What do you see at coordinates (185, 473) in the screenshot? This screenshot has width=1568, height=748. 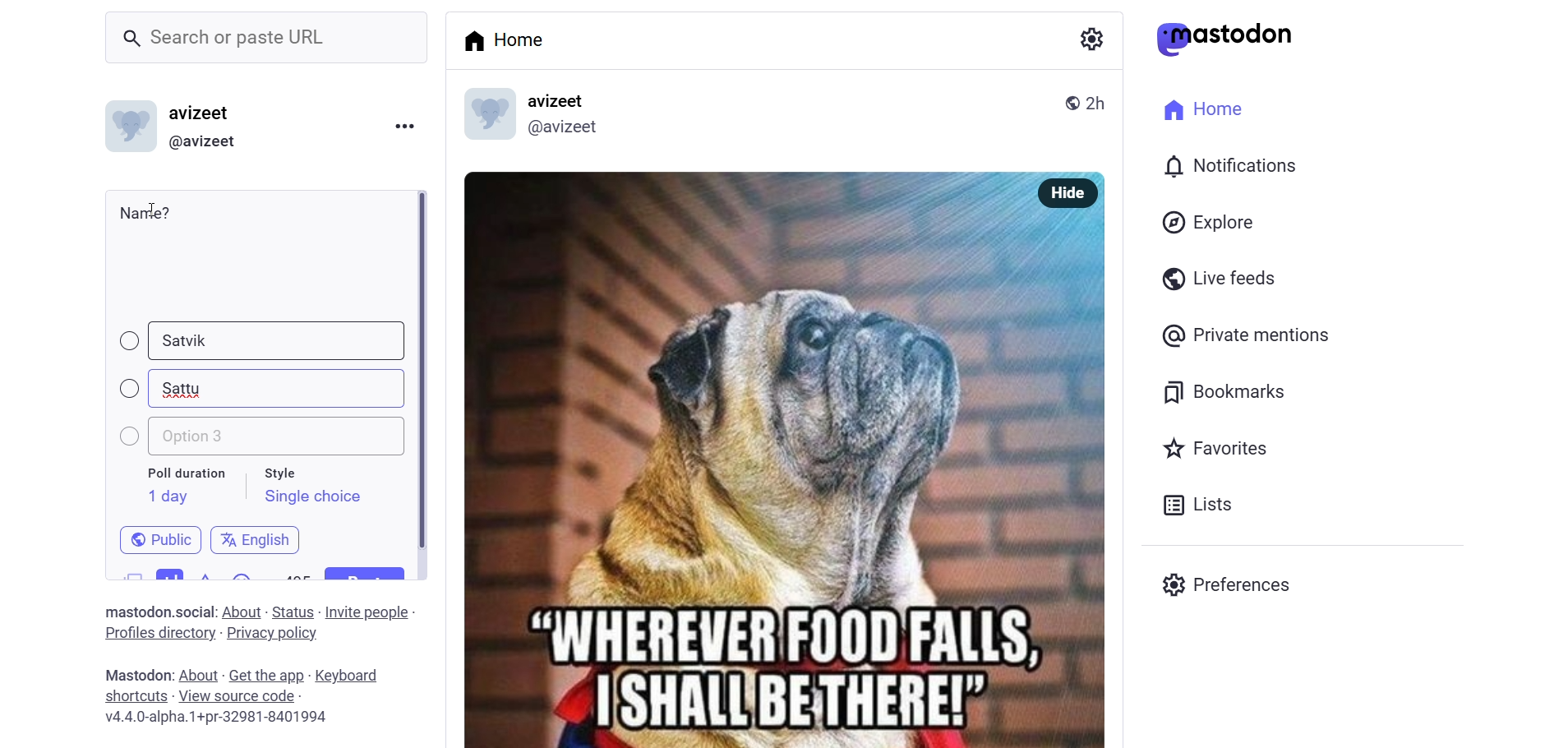 I see `duration` at bounding box center [185, 473].